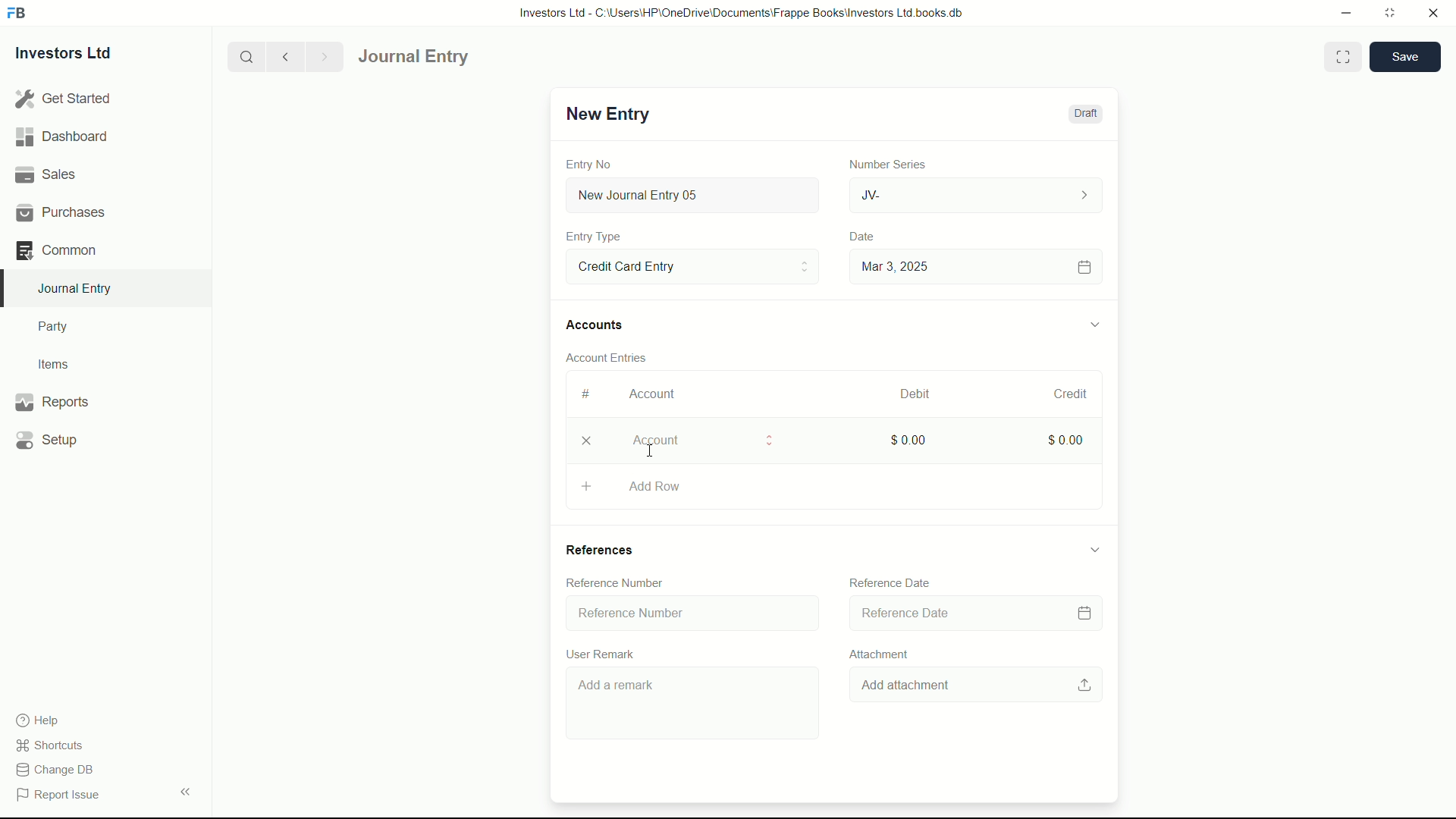 The image size is (1456, 819). I want to click on Debit, so click(908, 394).